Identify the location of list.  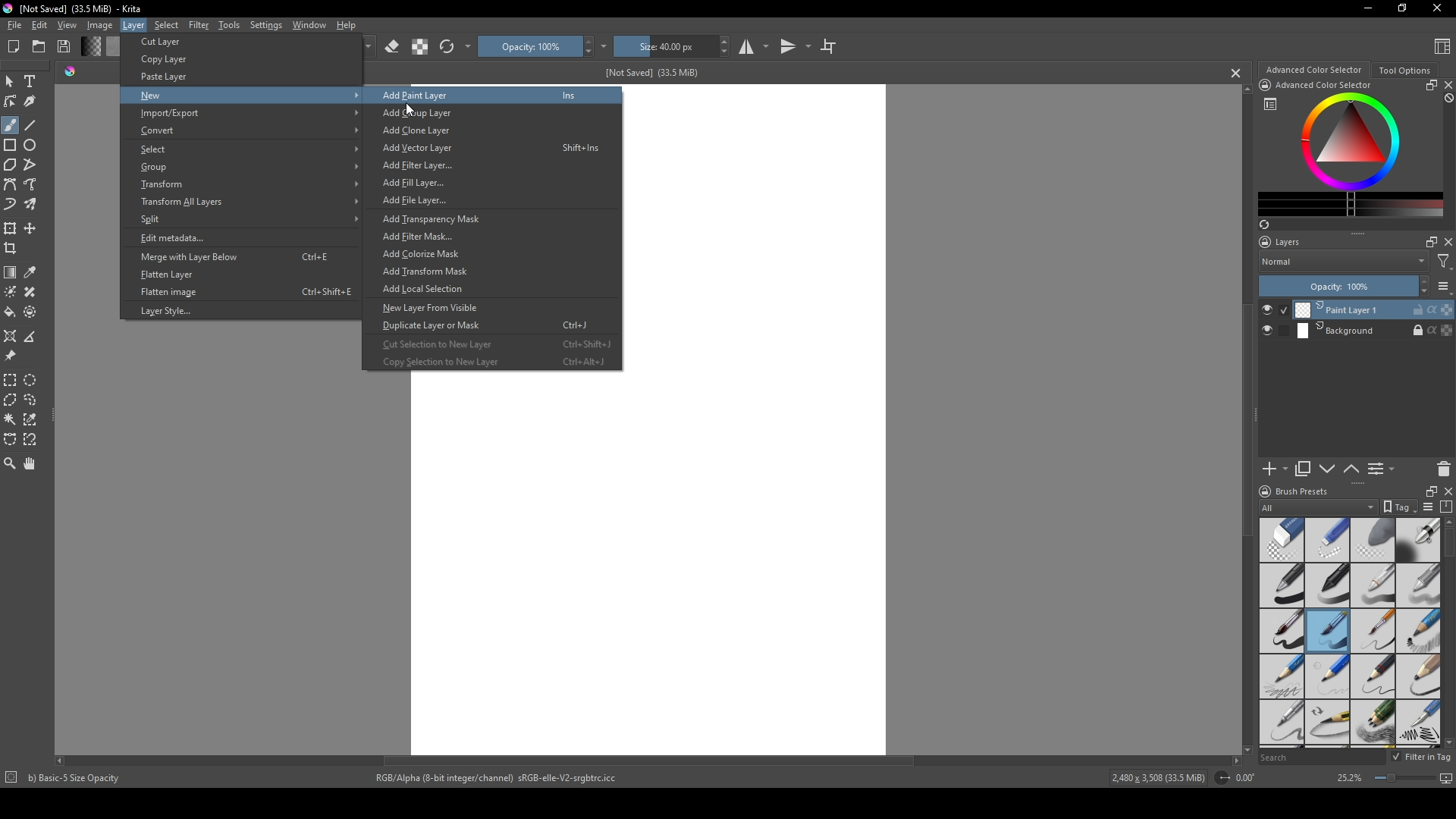
(1270, 104).